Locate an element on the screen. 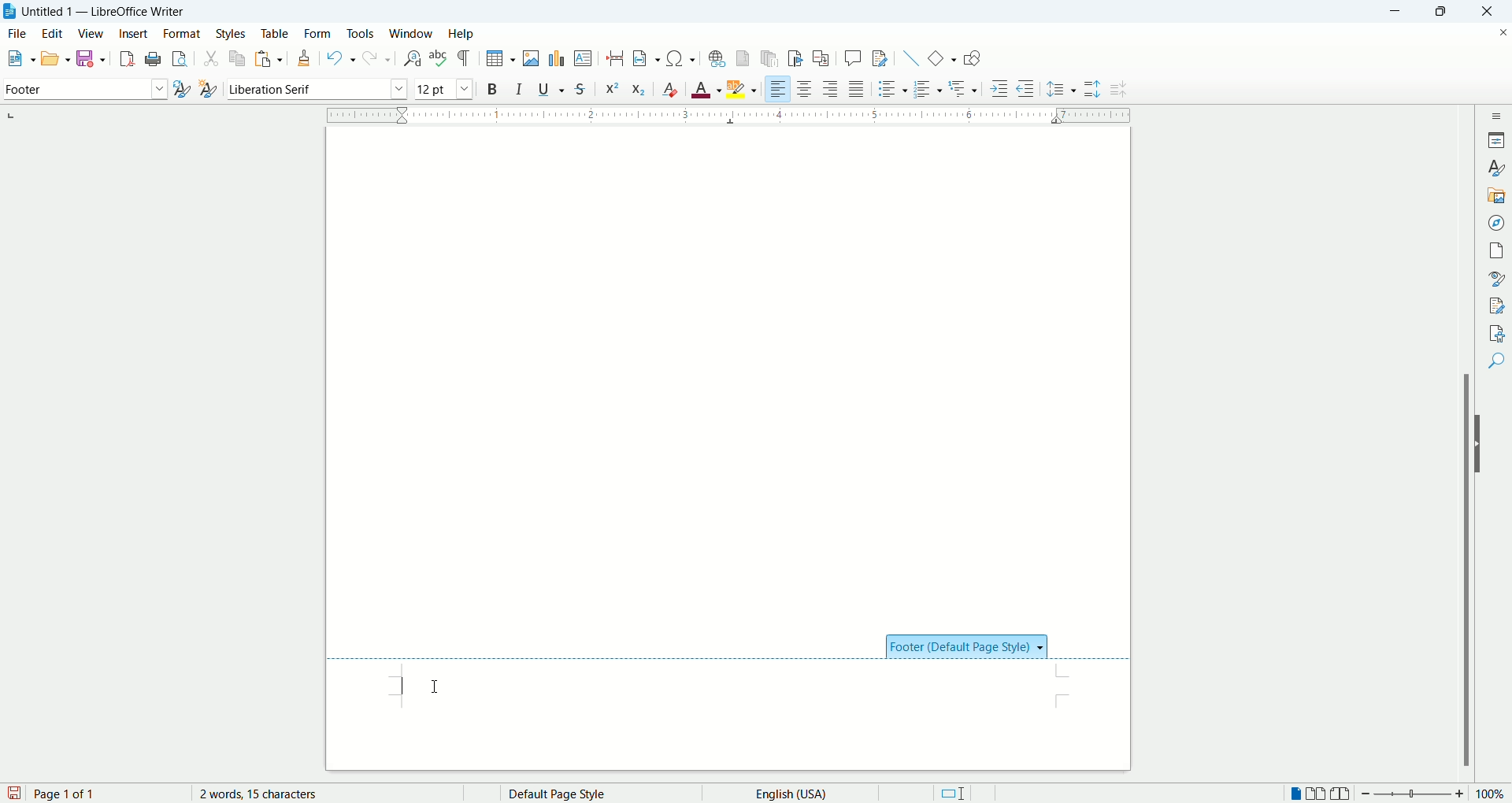 The height and width of the screenshot is (803, 1512). insert page break is located at coordinates (617, 58).